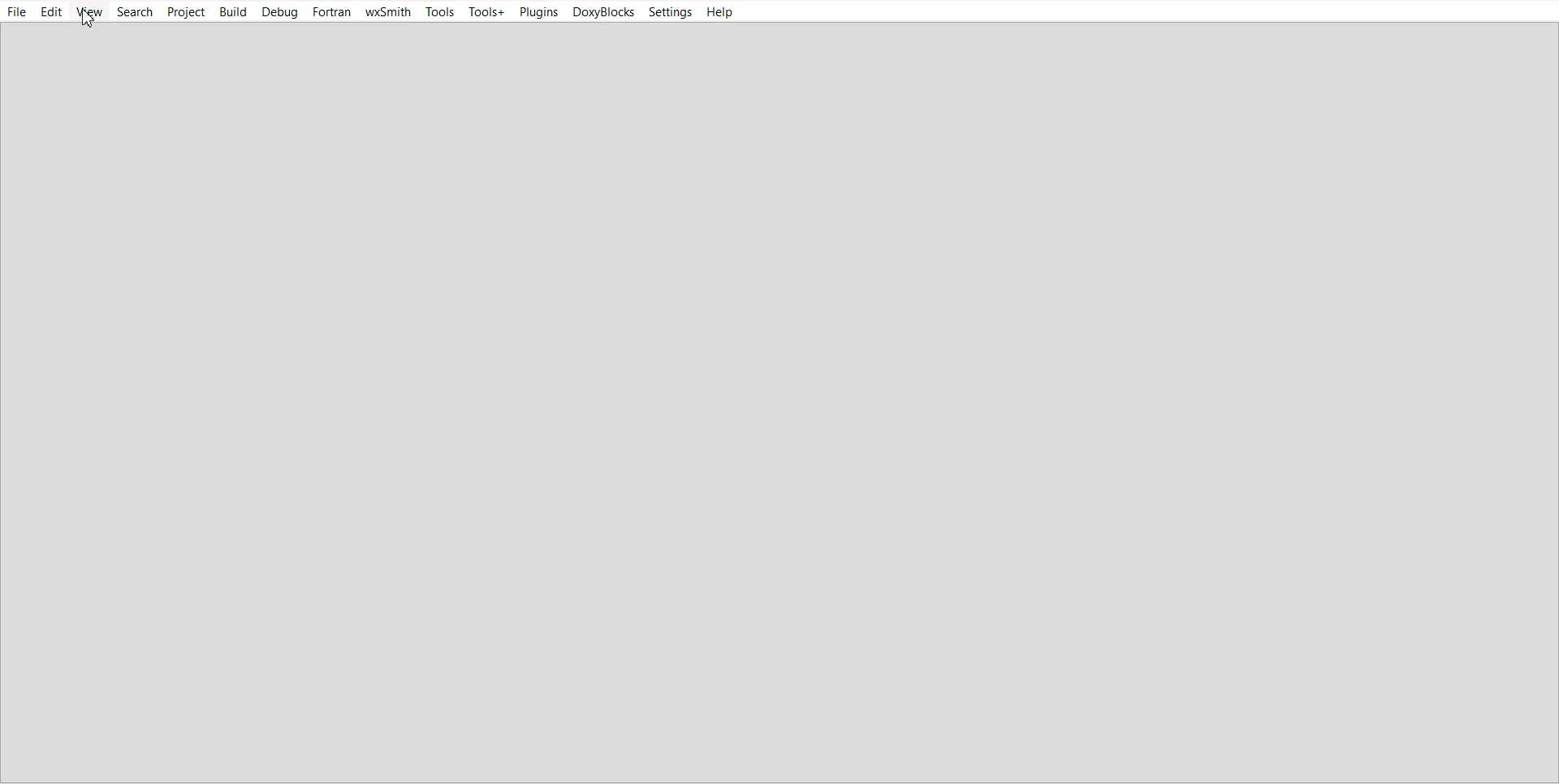 This screenshot has width=1559, height=784. Describe the element at coordinates (187, 13) in the screenshot. I see `Project` at that location.